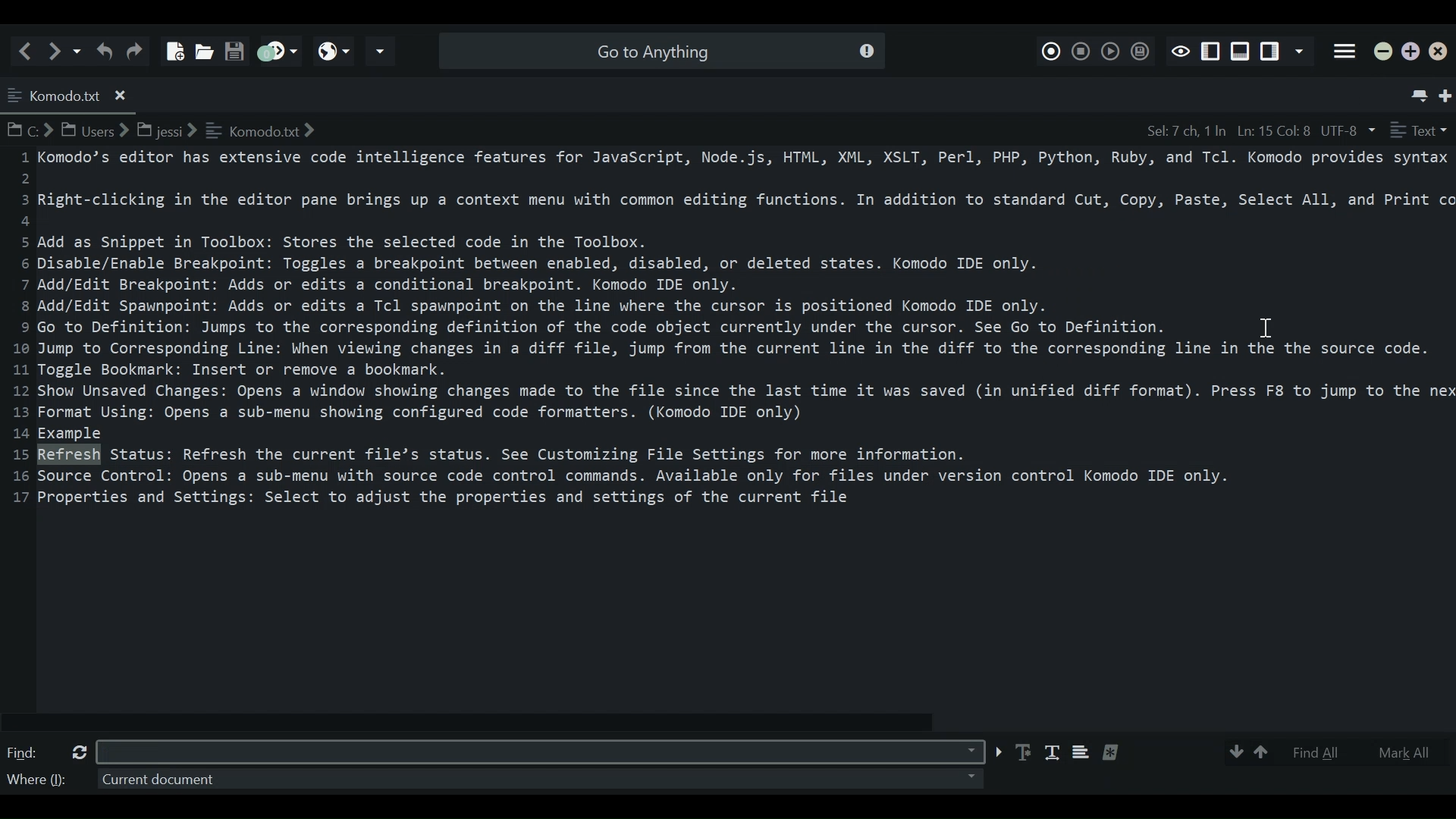  Describe the element at coordinates (172, 45) in the screenshot. I see `New File` at that location.